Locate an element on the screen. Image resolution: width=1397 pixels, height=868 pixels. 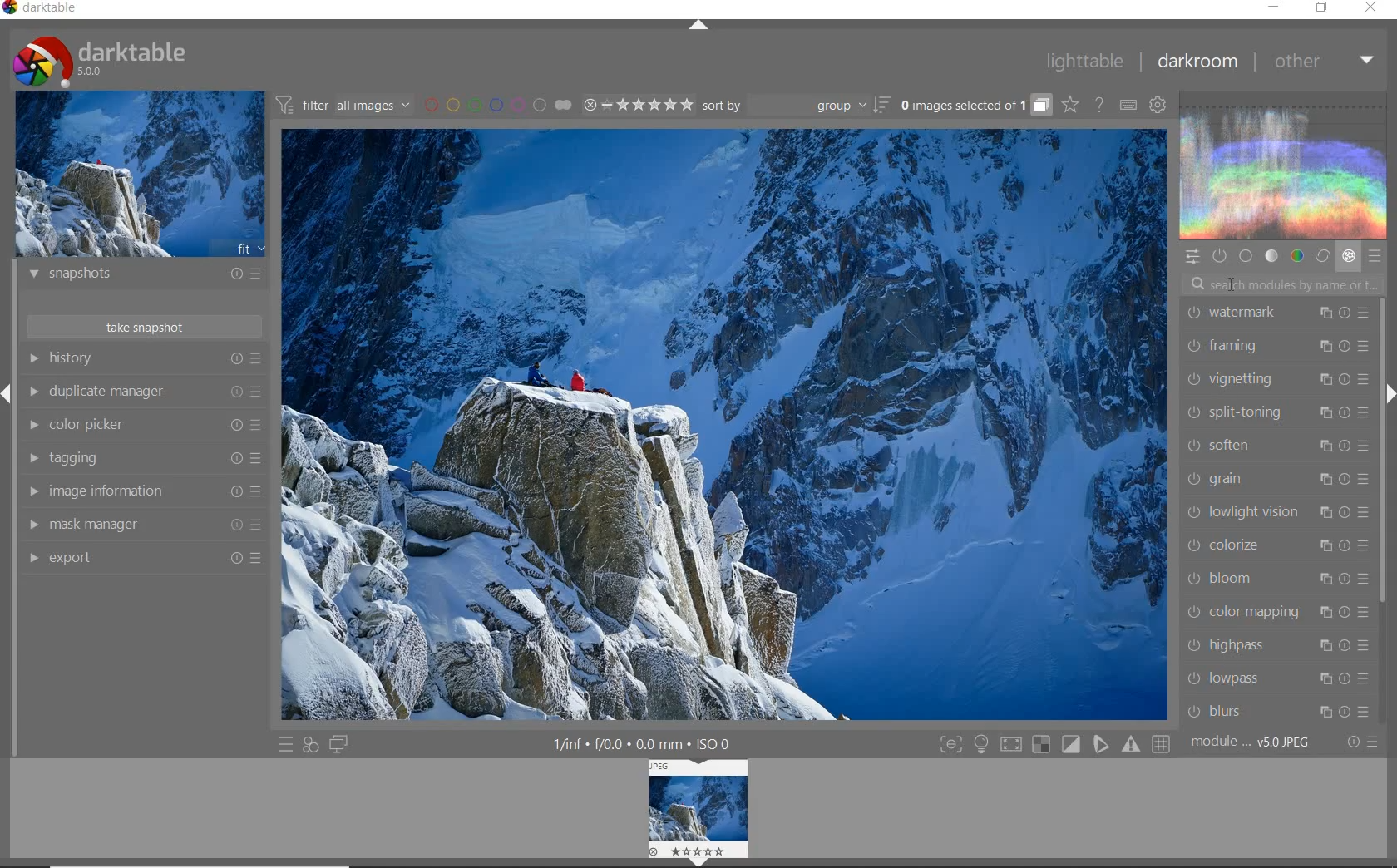
split-toning is located at coordinates (1276, 413).